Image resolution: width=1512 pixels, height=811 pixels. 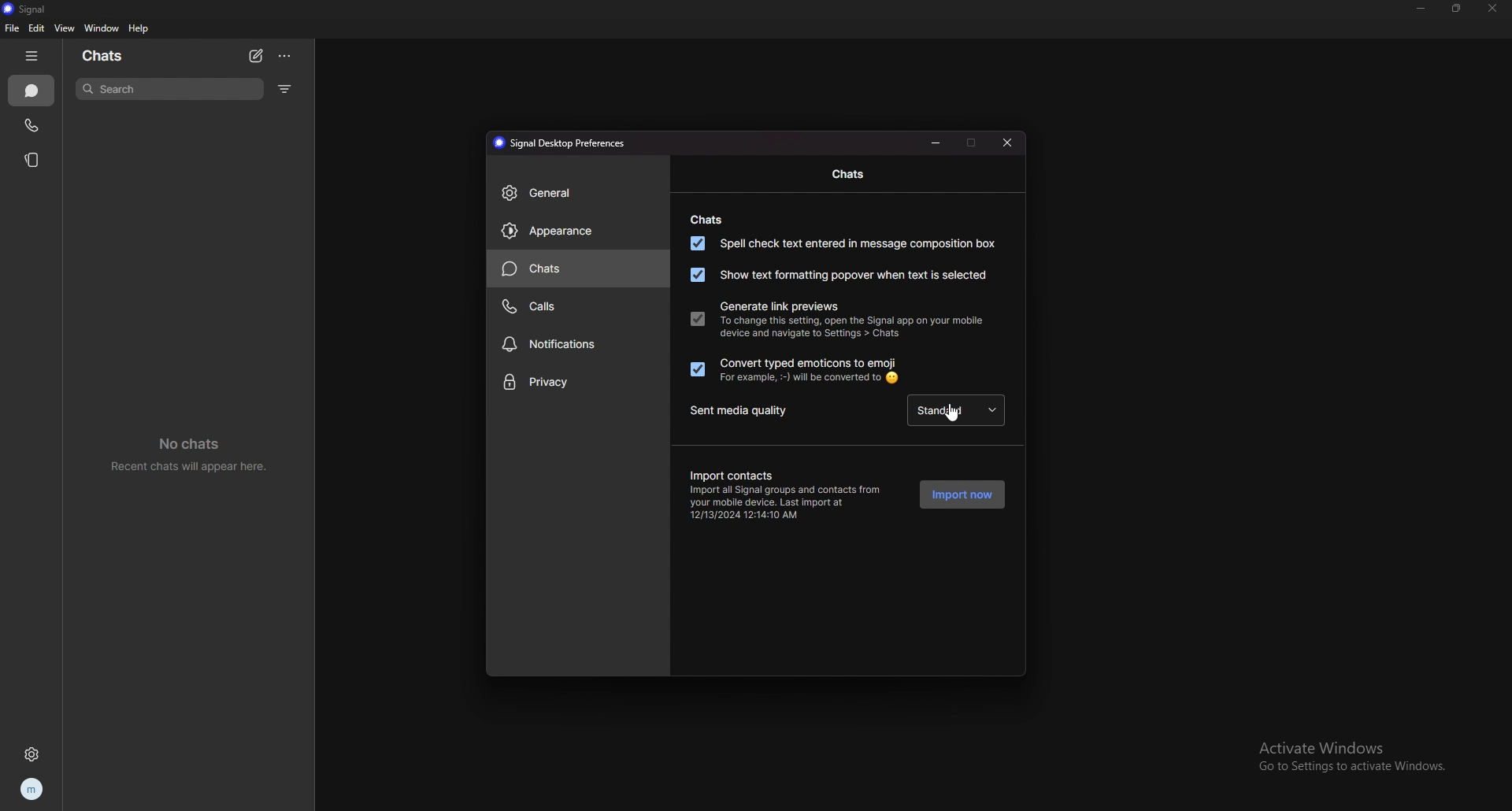 I want to click on Import all Signal groups and contacts from
your mobile device. Last import at
12/13/2024 12:14:10 AM, so click(x=790, y=503).